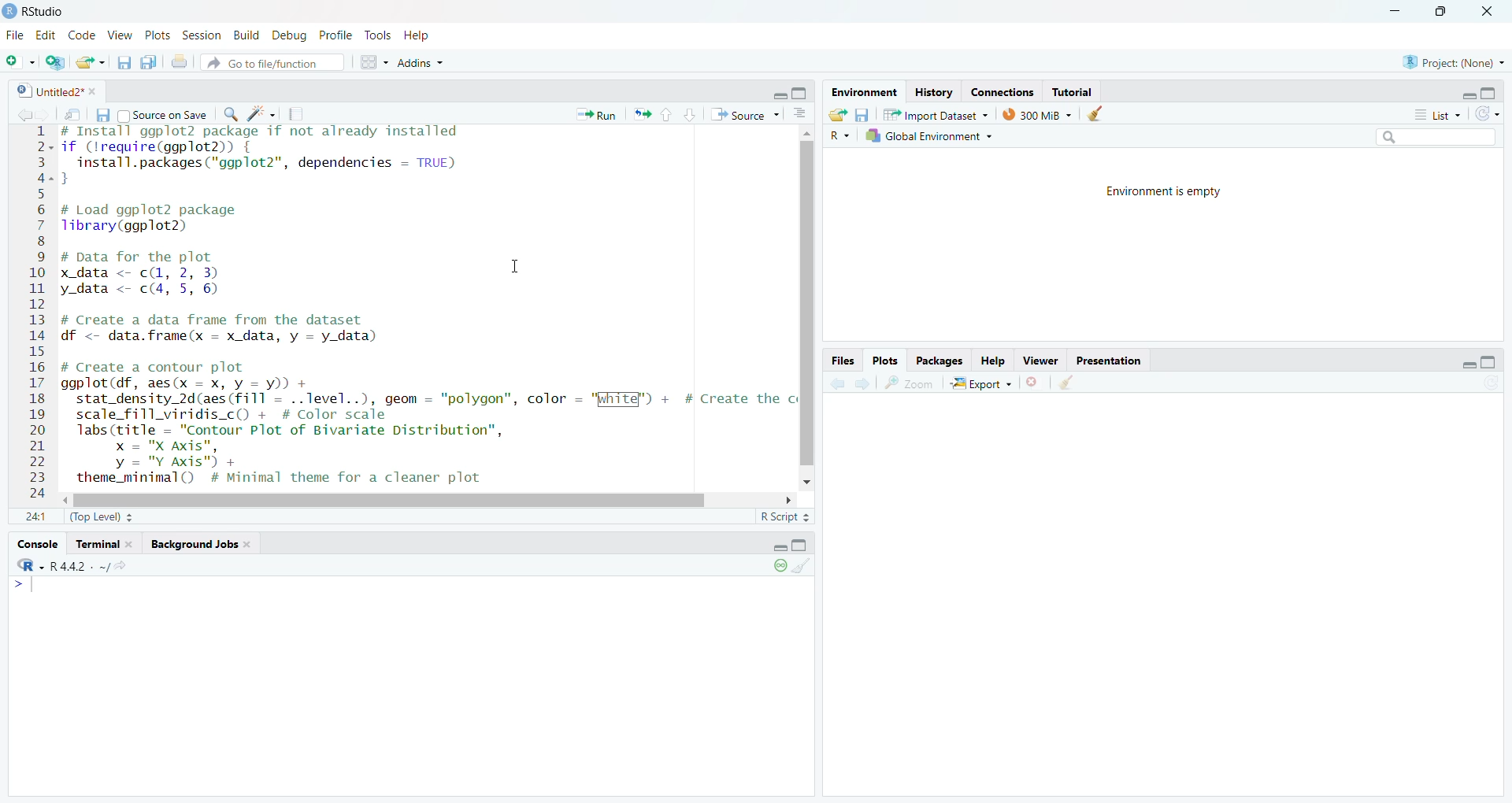  I want to click on Profile, so click(337, 35).